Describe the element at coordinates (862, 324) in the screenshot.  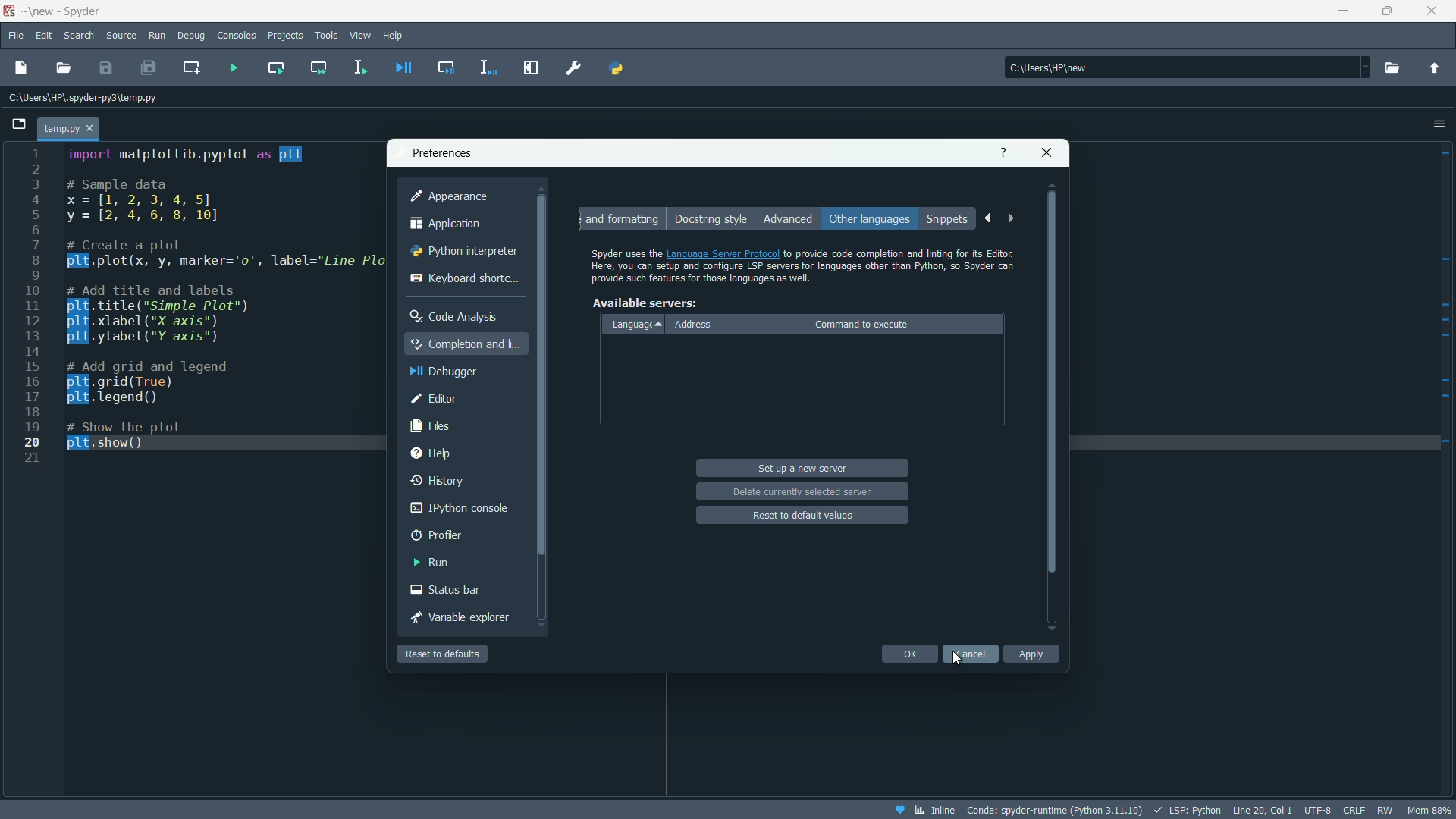
I see `command to execute` at that location.